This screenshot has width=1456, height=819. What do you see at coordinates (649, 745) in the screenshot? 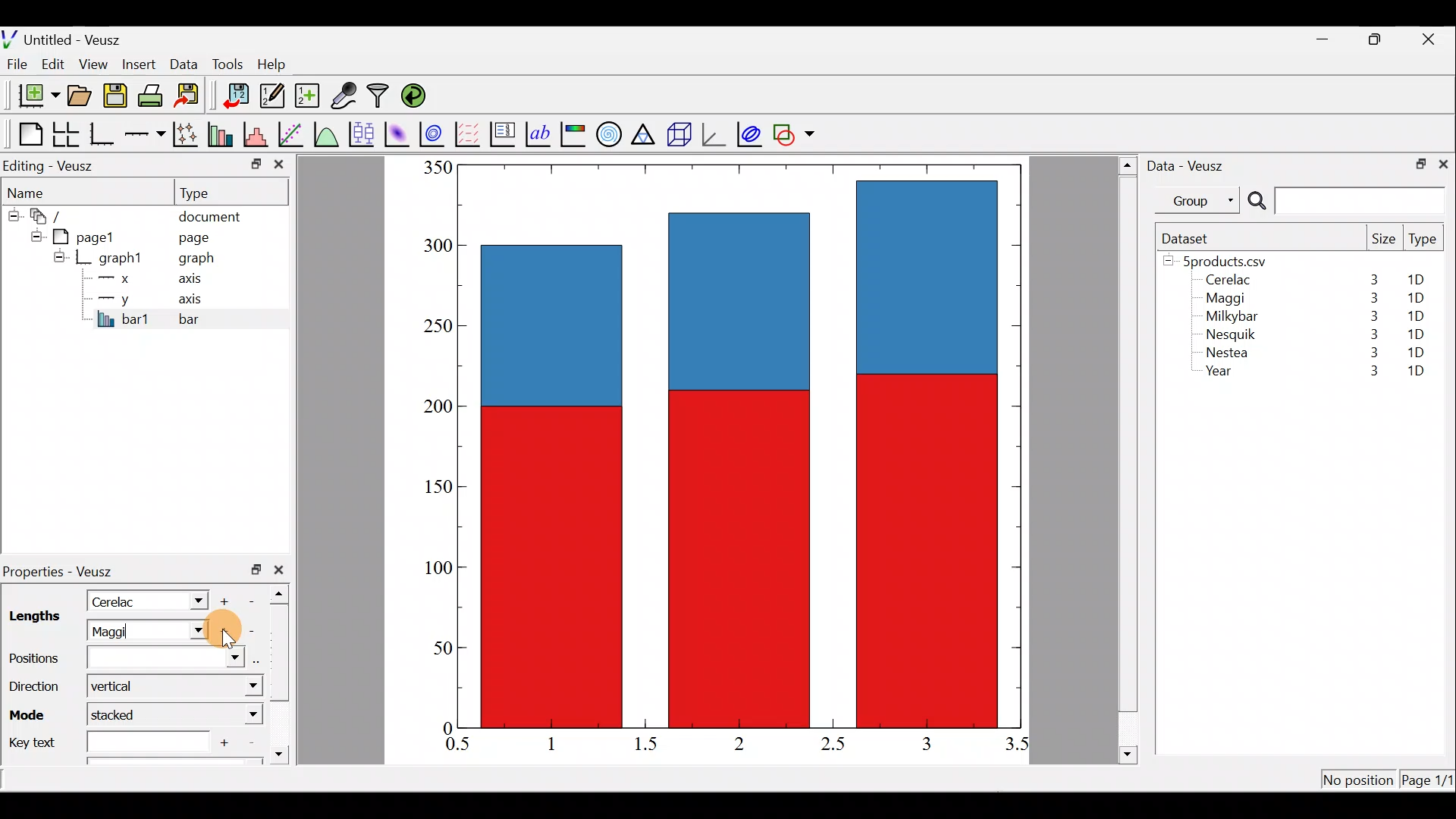
I see `1.5` at bounding box center [649, 745].